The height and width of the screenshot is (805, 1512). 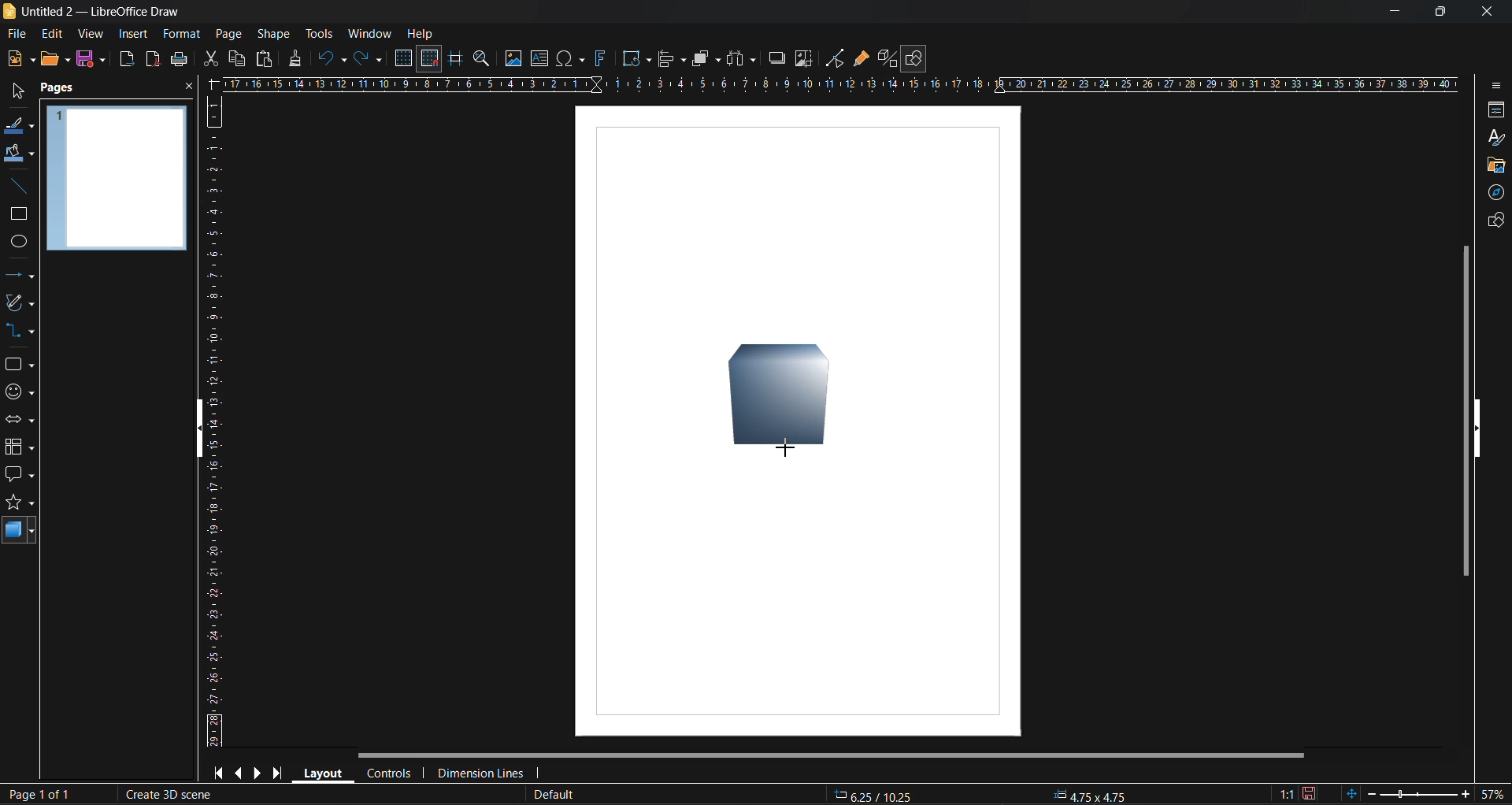 What do you see at coordinates (275, 772) in the screenshot?
I see `last` at bounding box center [275, 772].